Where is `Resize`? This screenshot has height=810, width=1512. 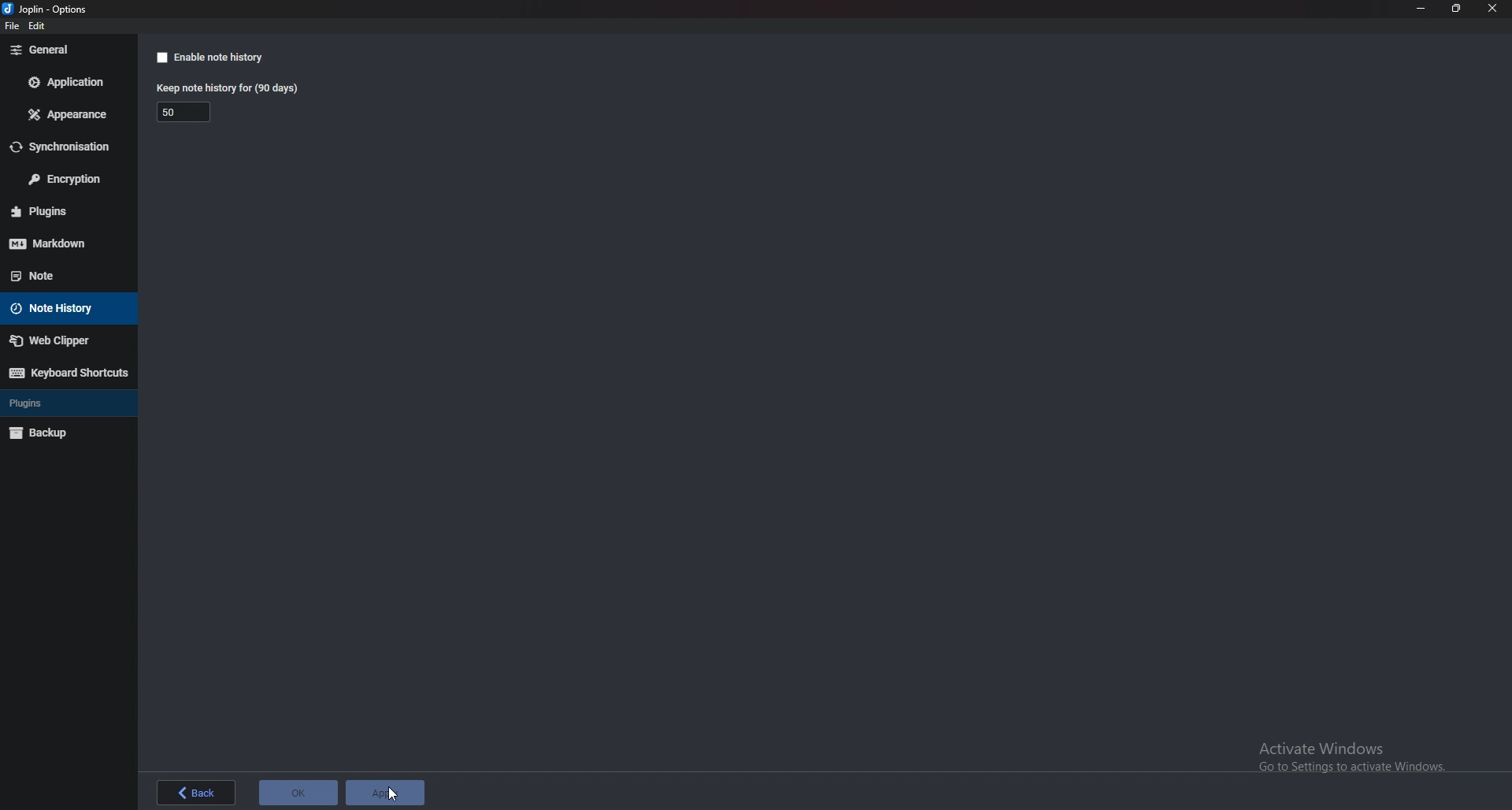 Resize is located at coordinates (1457, 9).